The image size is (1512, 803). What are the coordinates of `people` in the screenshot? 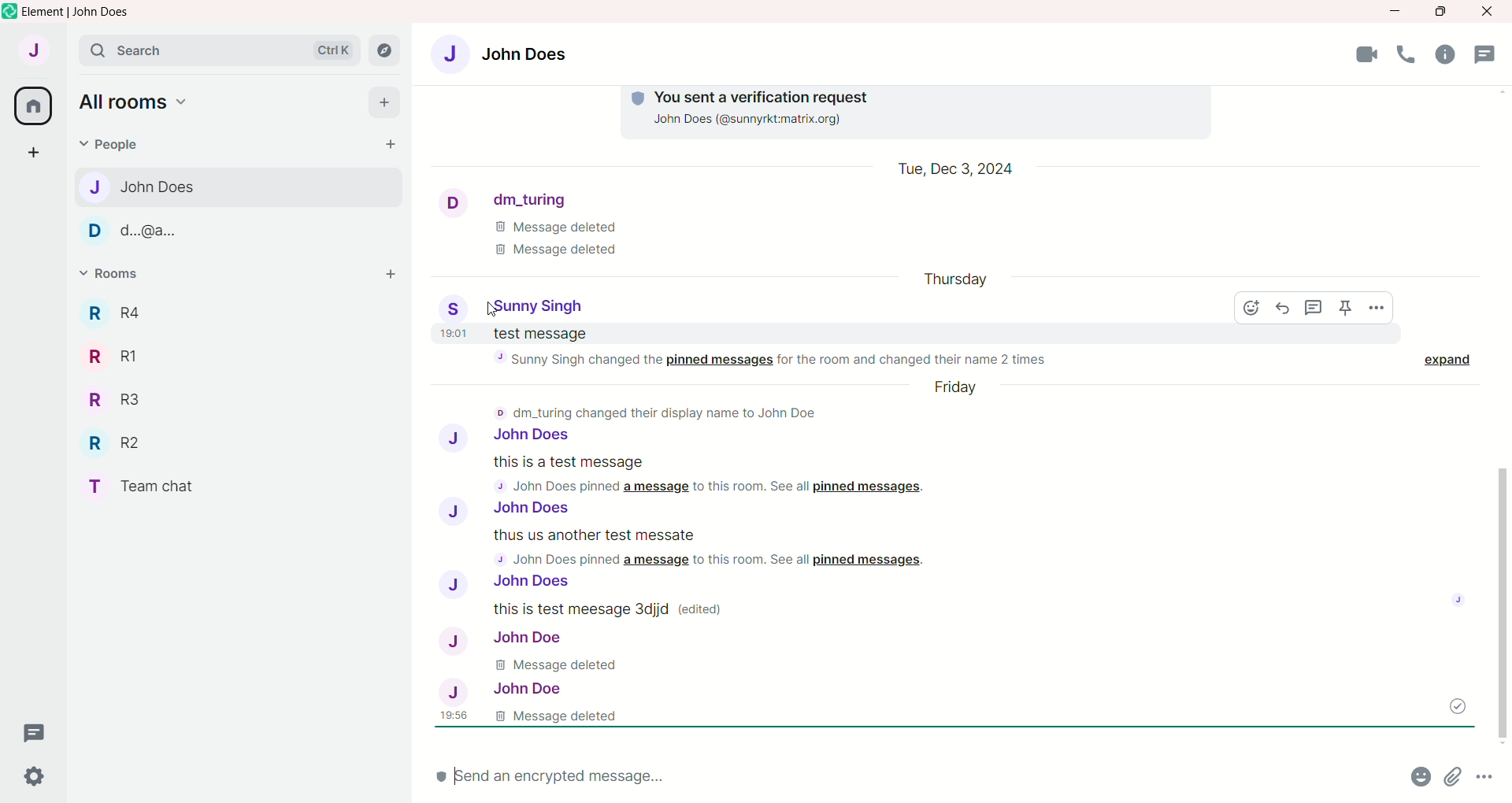 It's located at (108, 146).